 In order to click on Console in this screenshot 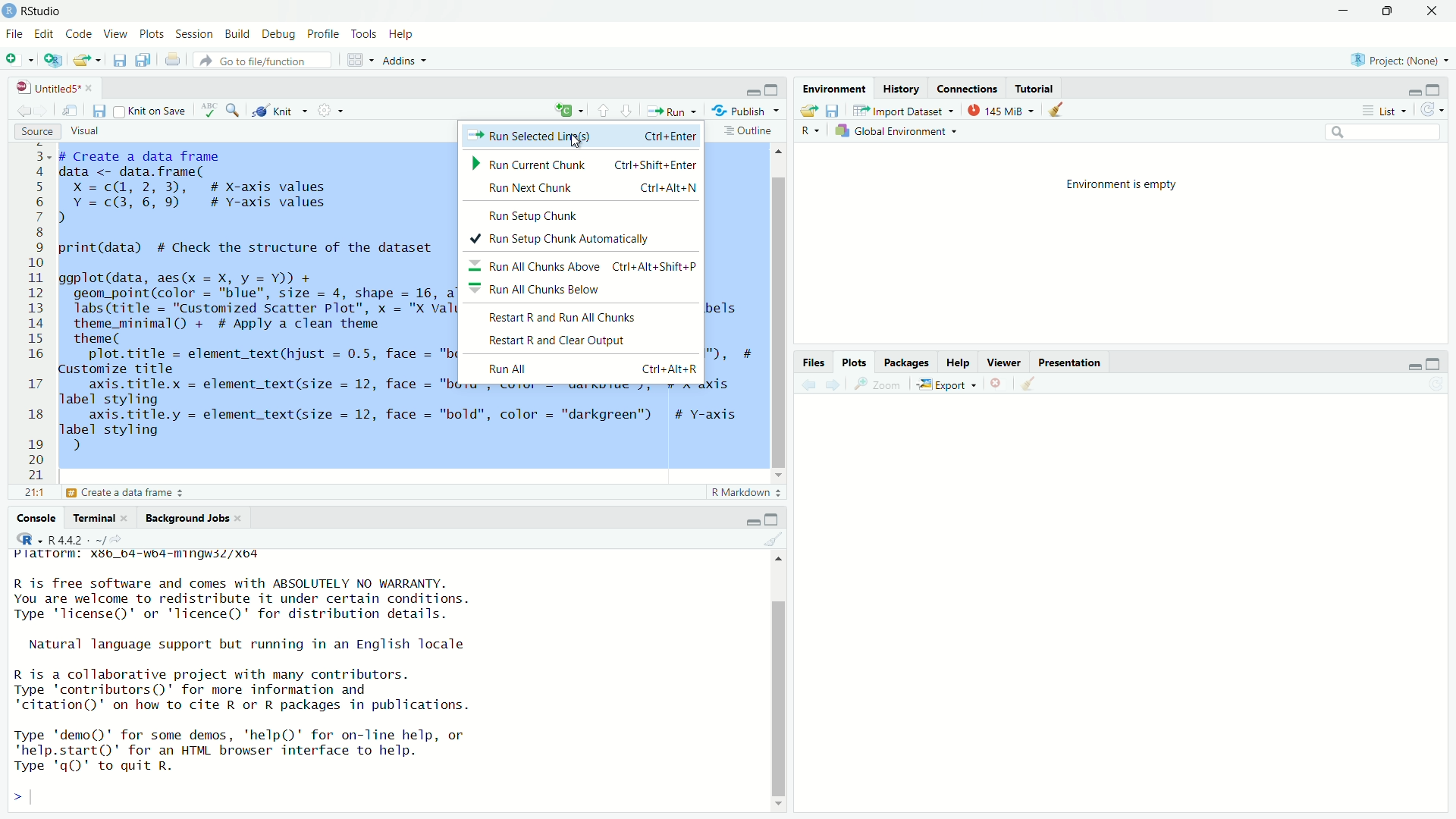, I will do `click(38, 518)`.